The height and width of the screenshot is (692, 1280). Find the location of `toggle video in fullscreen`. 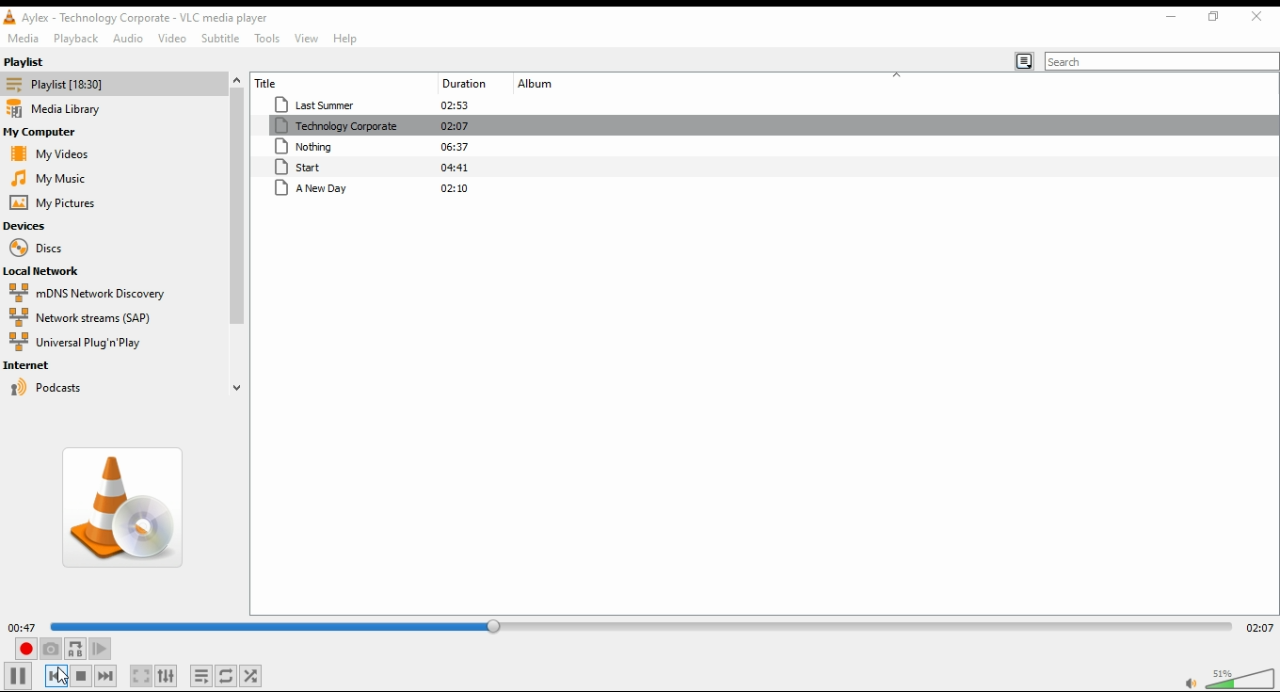

toggle video in fullscreen is located at coordinates (140, 676).